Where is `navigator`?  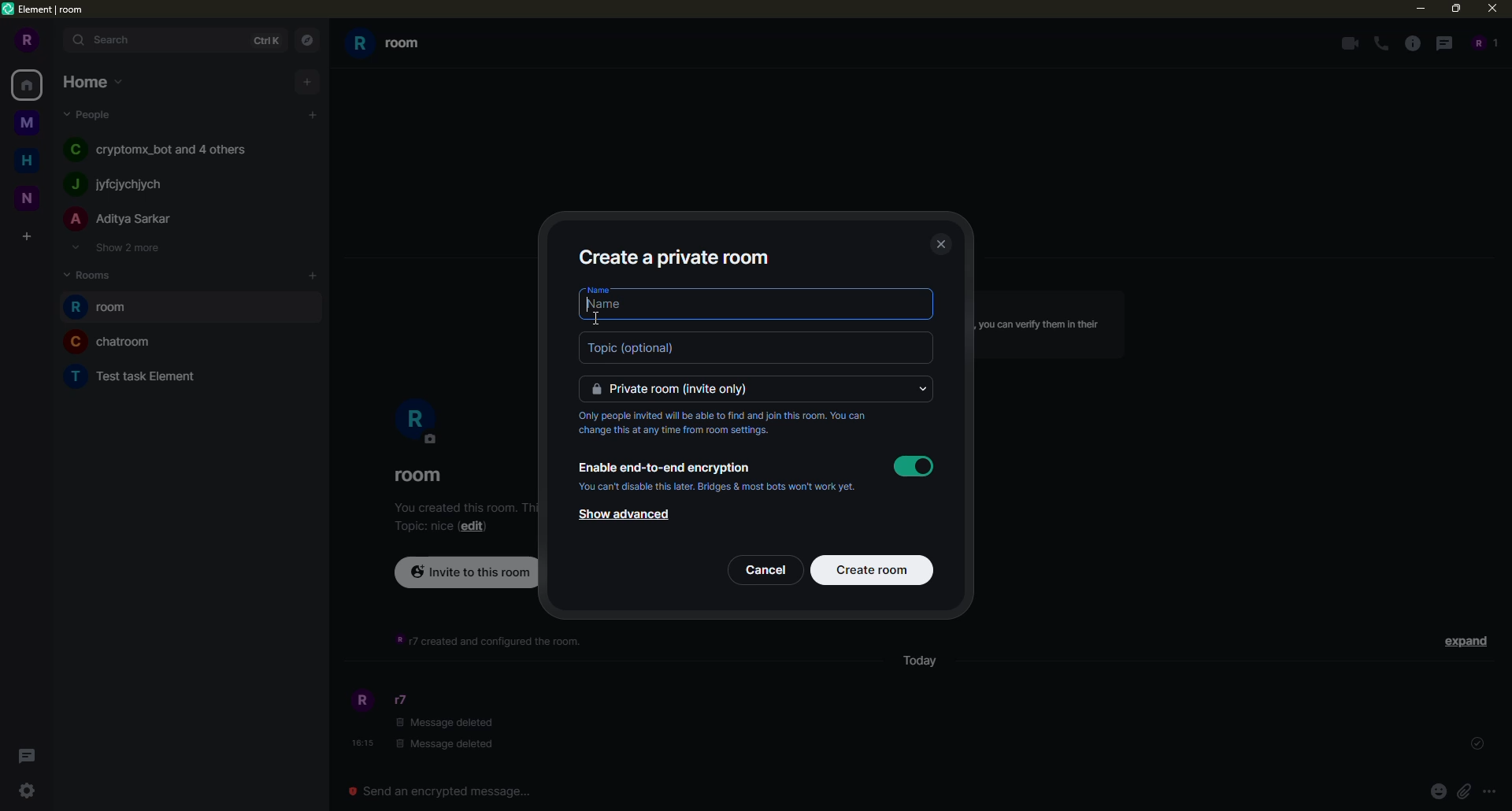
navigator is located at coordinates (308, 41).